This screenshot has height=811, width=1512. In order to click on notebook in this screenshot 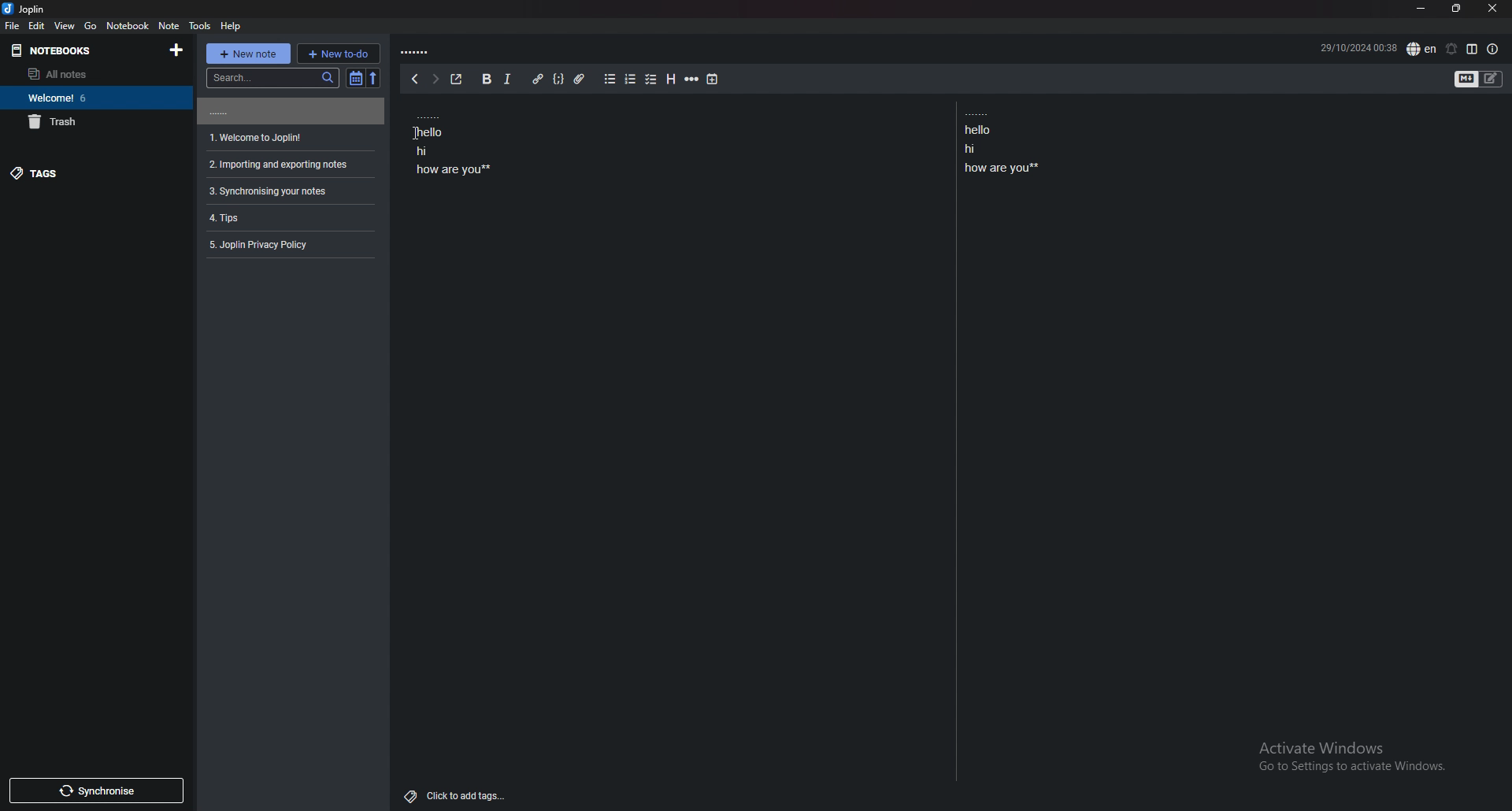, I will do `click(129, 25)`.